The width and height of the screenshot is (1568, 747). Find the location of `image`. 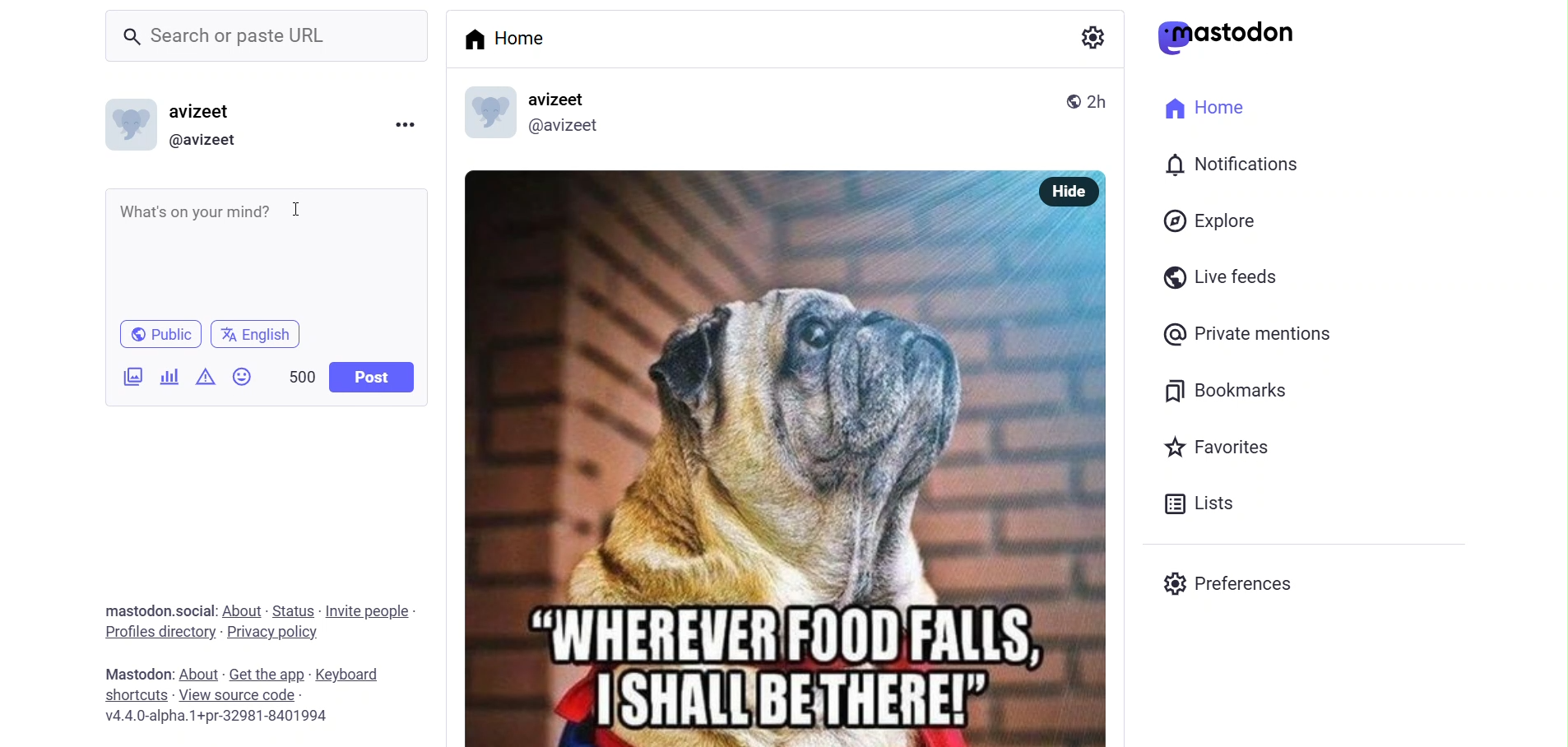

image is located at coordinates (735, 459).